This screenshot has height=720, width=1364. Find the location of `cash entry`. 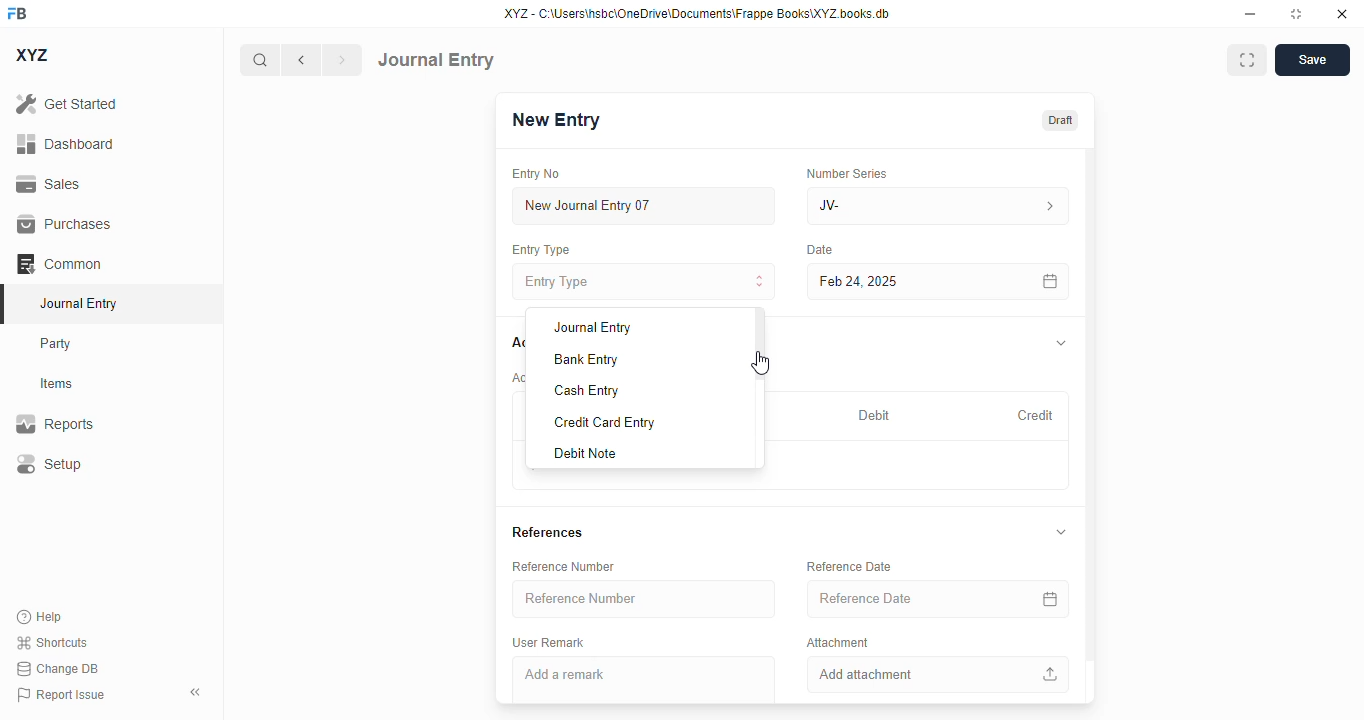

cash entry is located at coordinates (587, 390).